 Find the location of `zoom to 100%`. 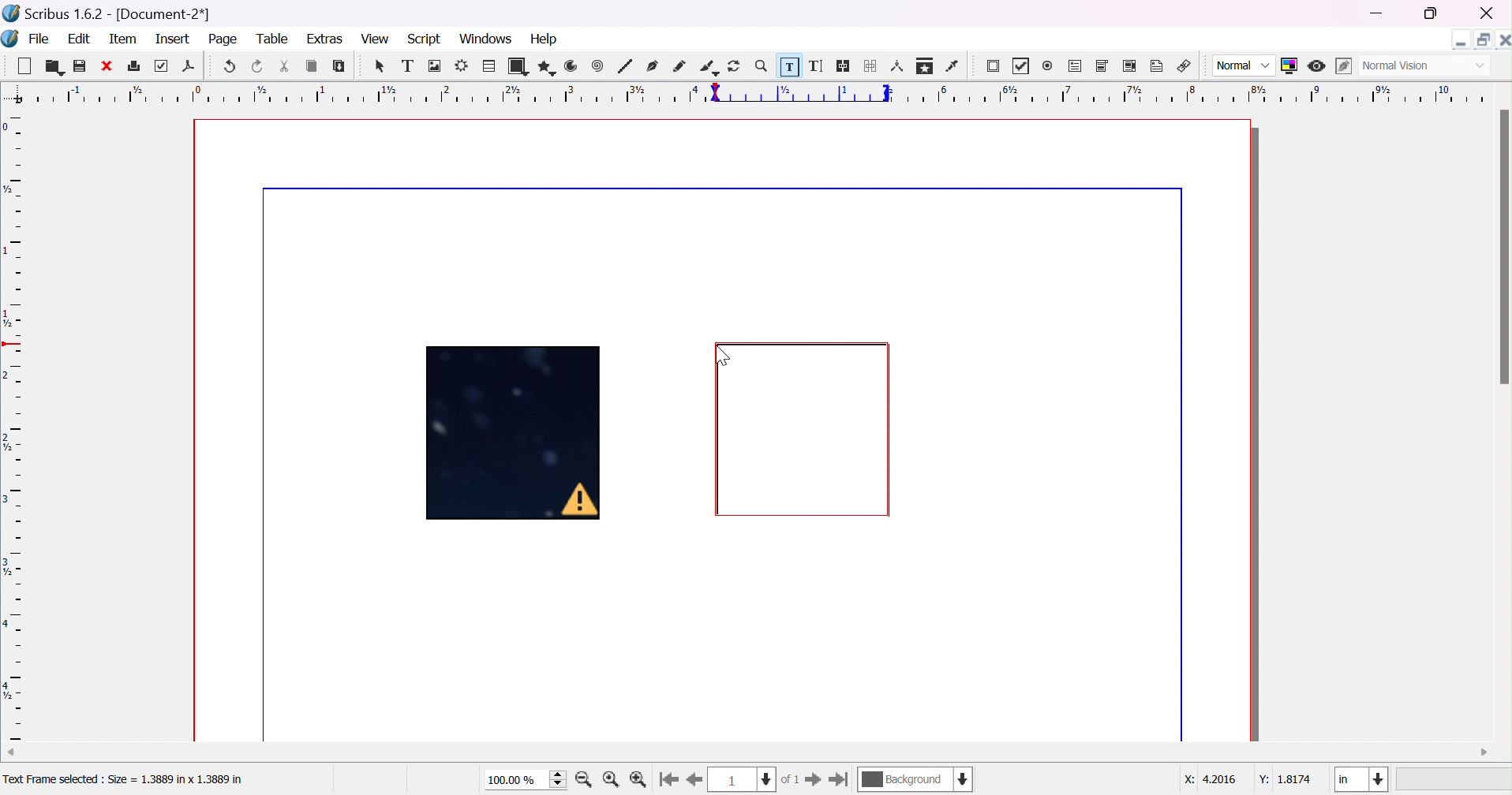

zoom to 100% is located at coordinates (612, 780).